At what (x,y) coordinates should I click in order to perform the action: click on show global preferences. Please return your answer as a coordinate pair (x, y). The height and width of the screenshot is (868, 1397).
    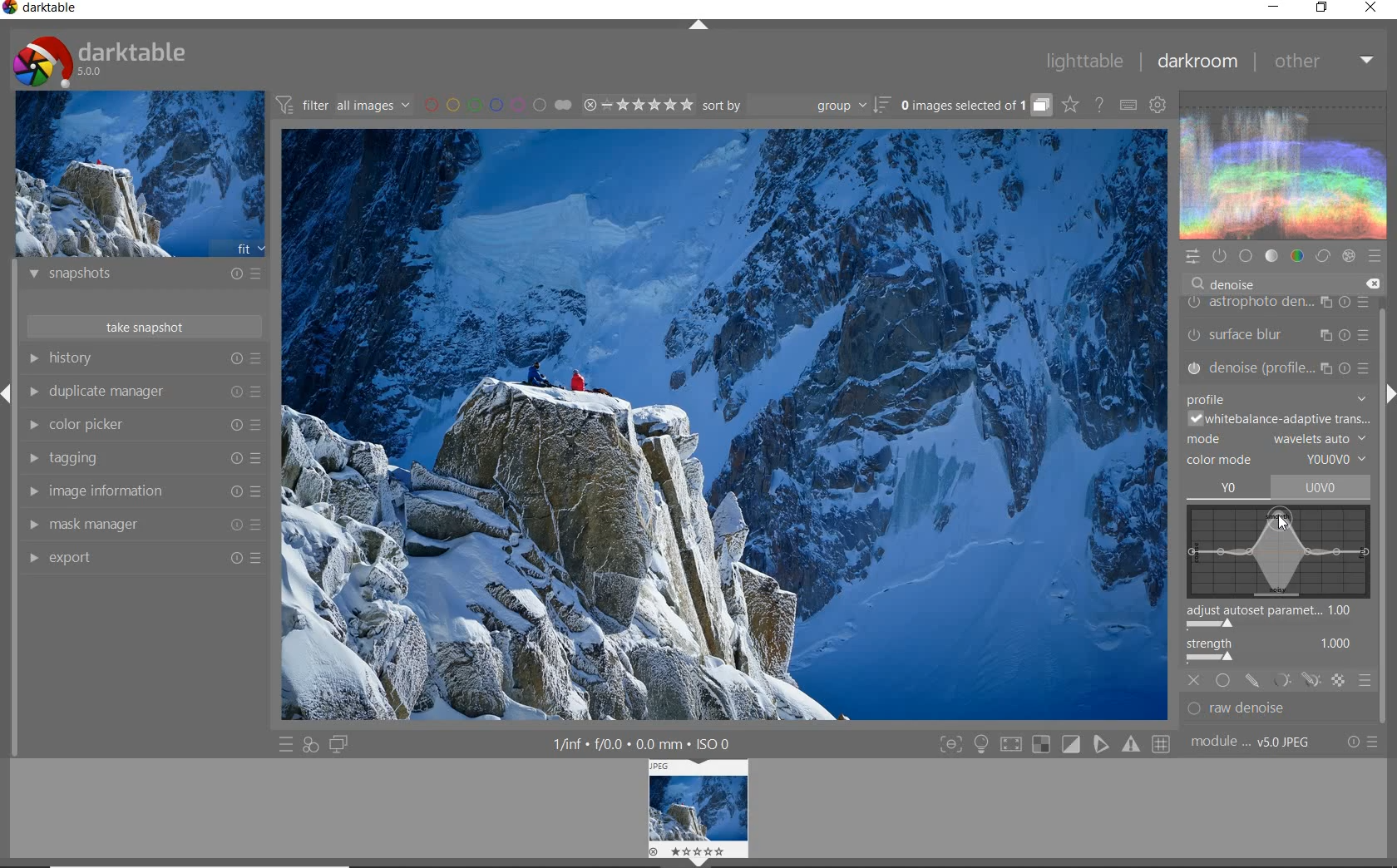
    Looking at the image, I should click on (1158, 104).